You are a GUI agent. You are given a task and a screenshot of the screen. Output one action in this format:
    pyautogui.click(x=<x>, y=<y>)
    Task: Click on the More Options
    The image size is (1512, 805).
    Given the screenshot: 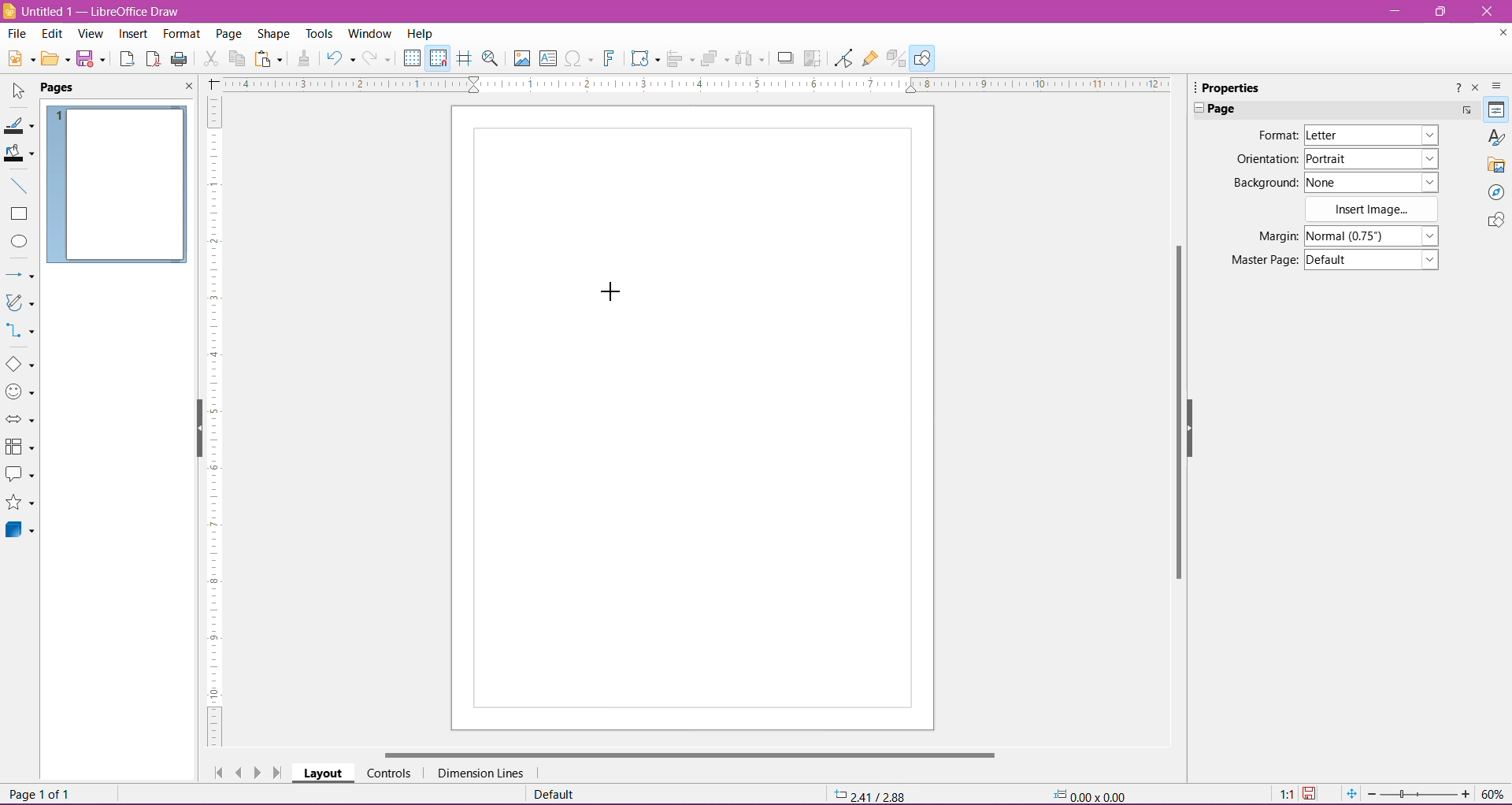 What is the action you would take?
    pyautogui.click(x=1466, y=112)
    